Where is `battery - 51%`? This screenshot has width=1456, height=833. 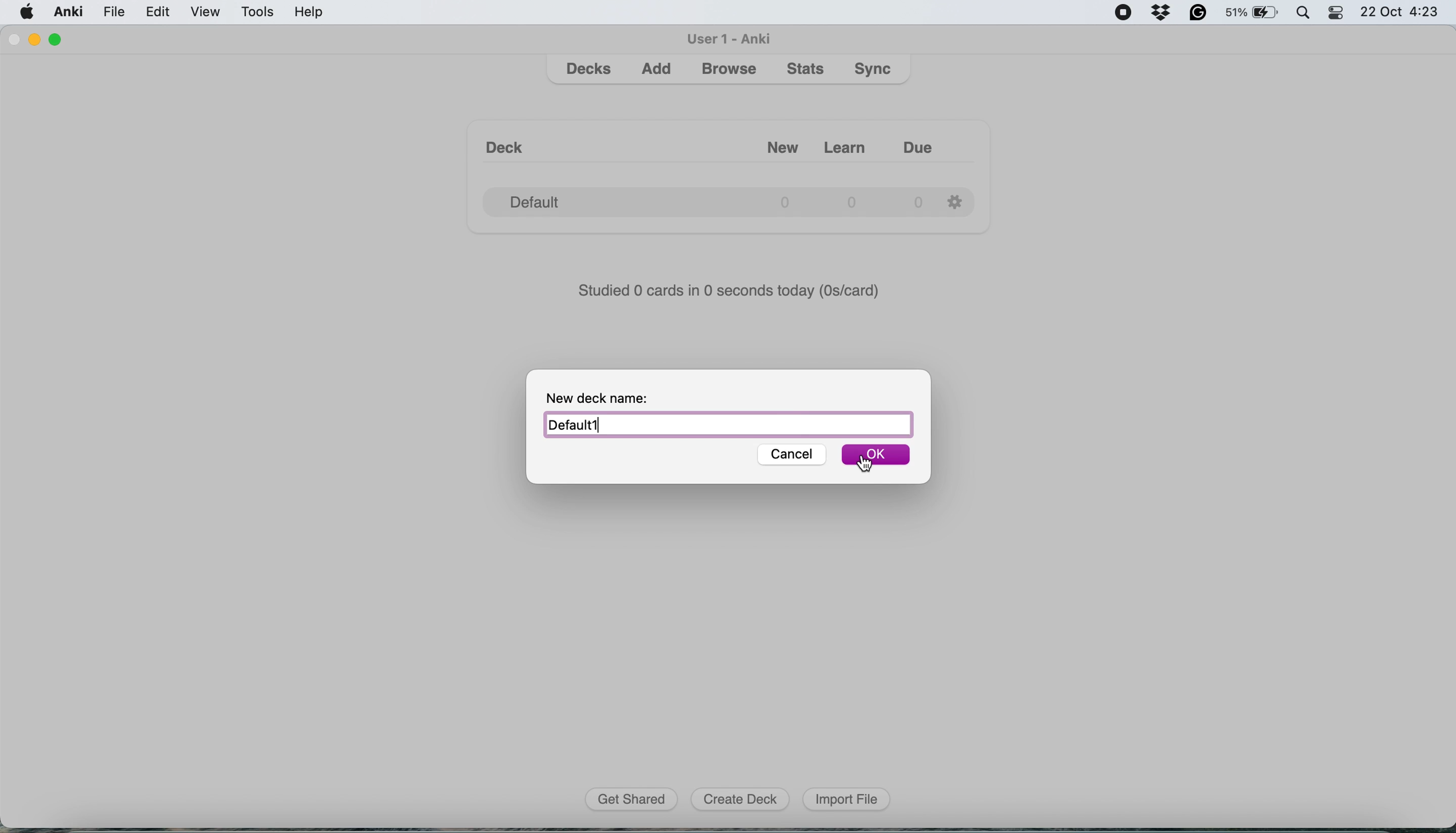 battery - 51% is located at coordinates (1251, 14).